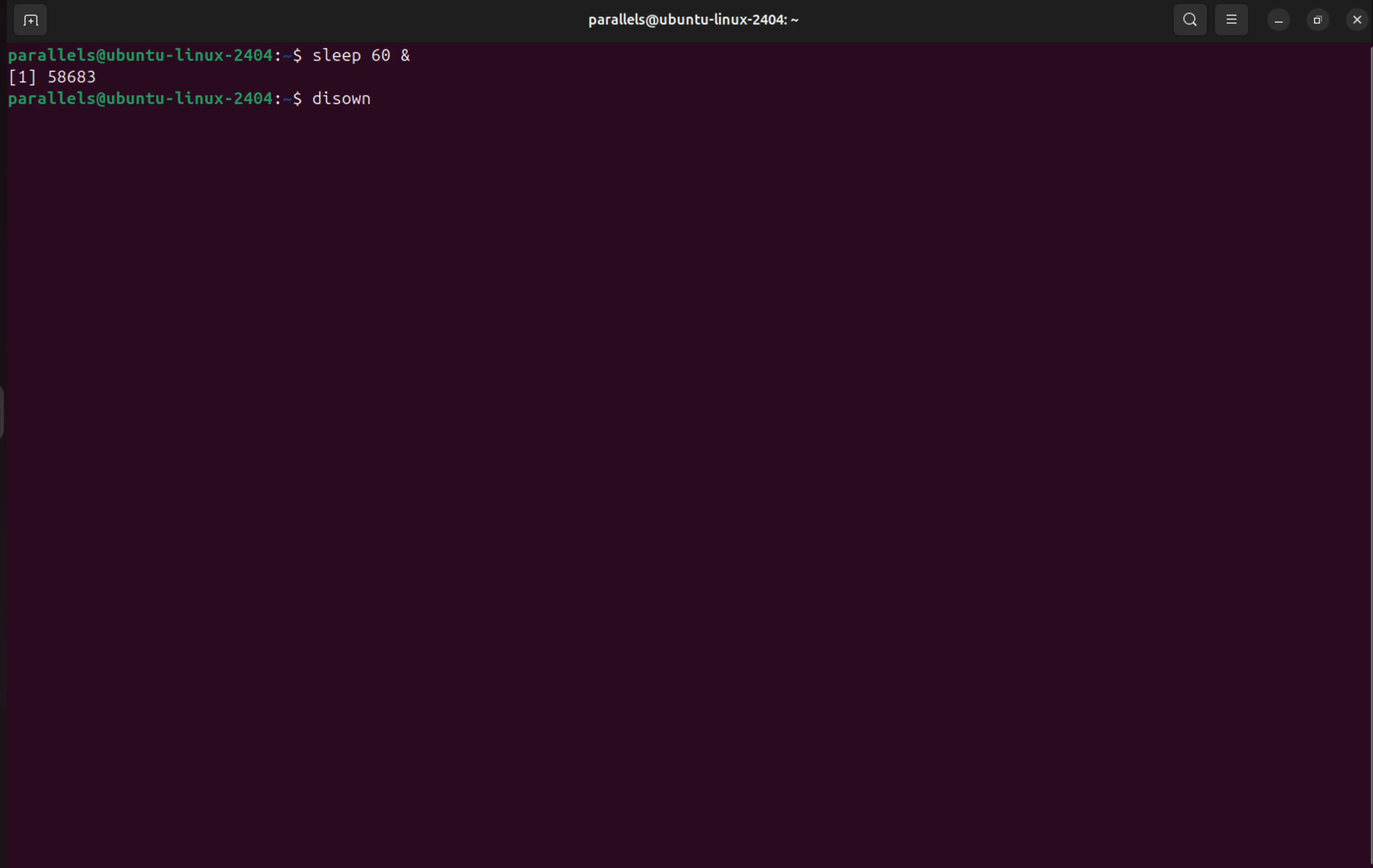 This screenshot has width=1373, height=868. I want to click on close, so click(1355, 18).